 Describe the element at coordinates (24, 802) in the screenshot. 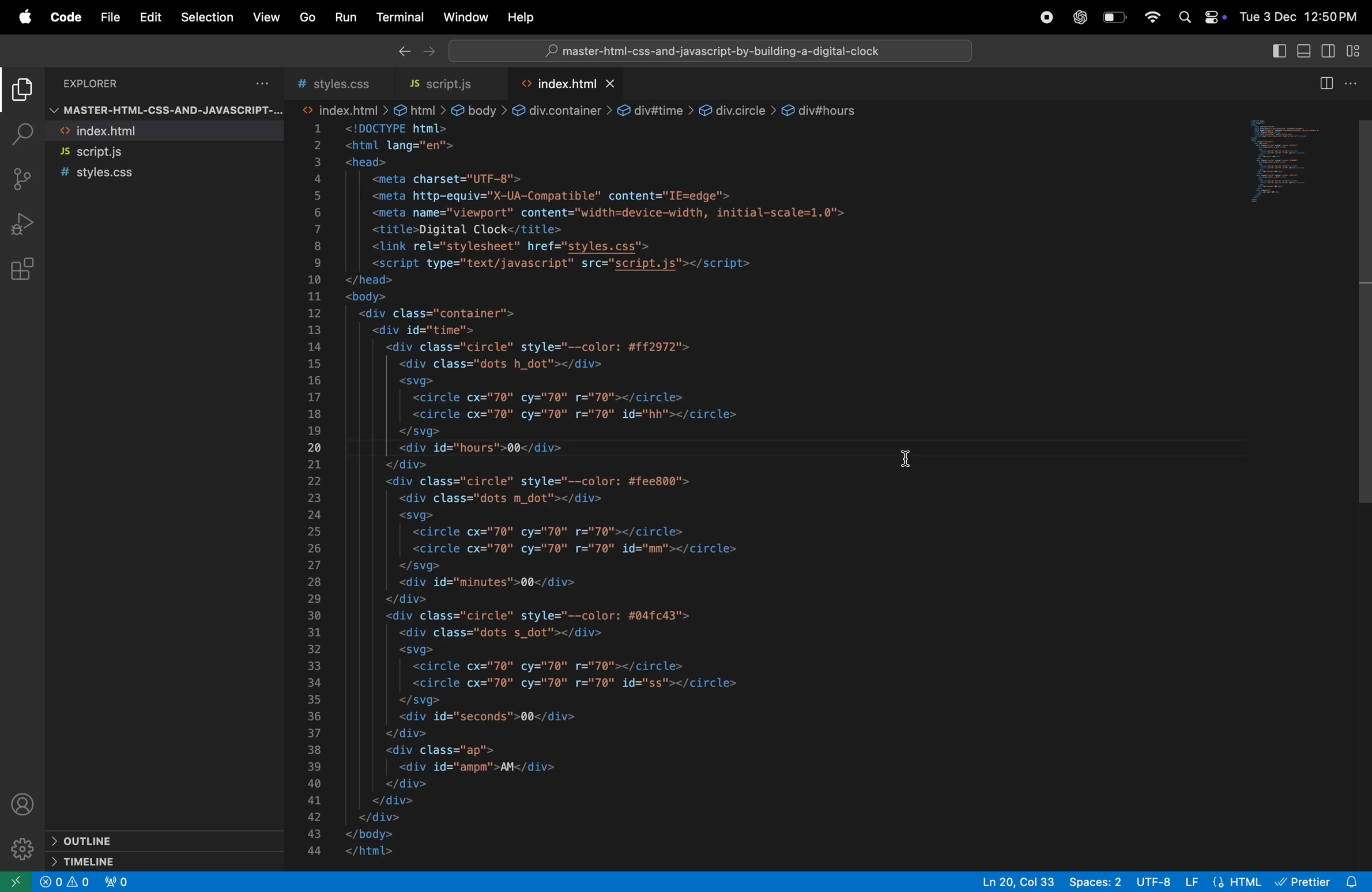

I see `profile` at that location.